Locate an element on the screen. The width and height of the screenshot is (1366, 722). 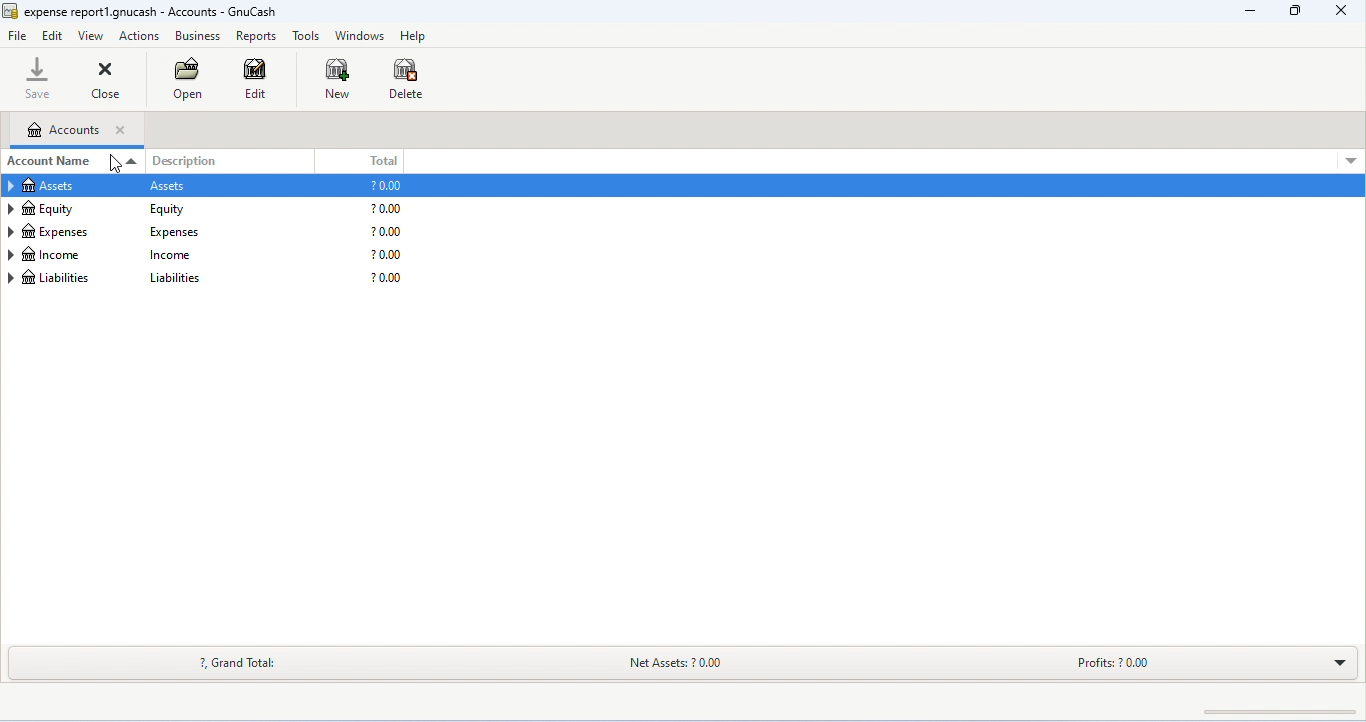
edit is located at coordinates (52, 36).